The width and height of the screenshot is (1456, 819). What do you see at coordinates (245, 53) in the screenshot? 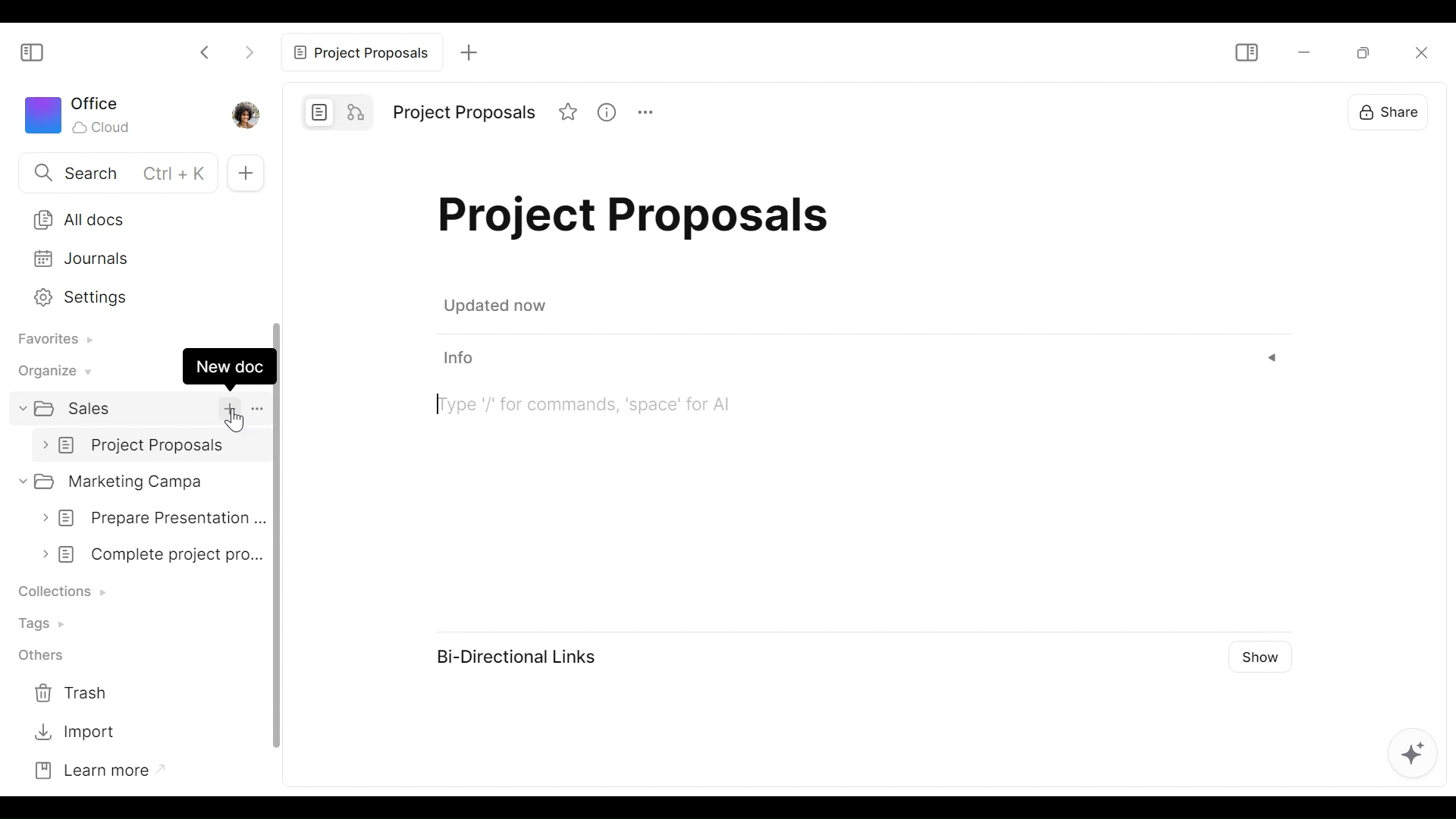
I see `Click to go forward` at bounding box center [245, 53].